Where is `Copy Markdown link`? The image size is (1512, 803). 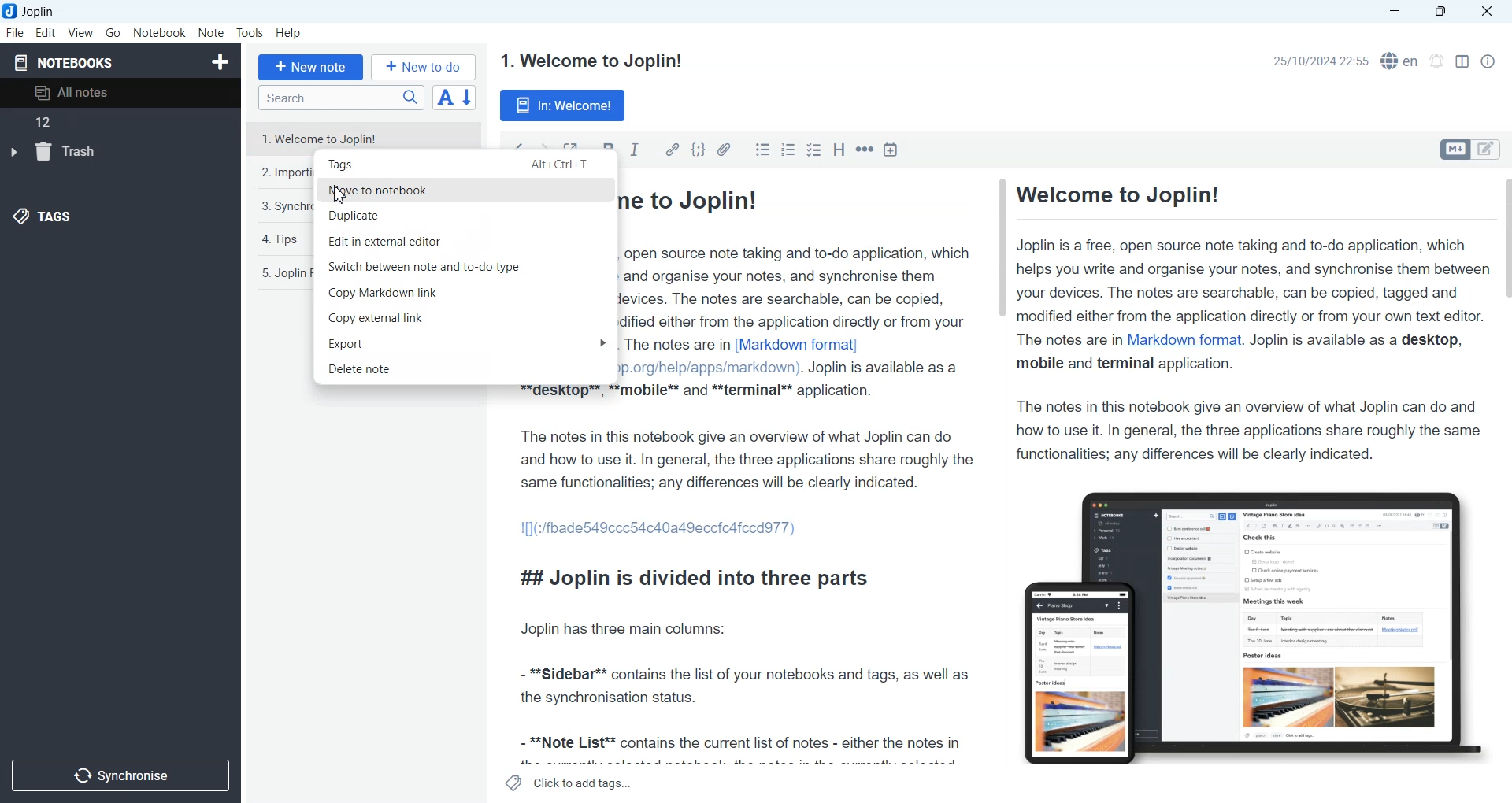
Copy Markdown link is located at coordinates (465, 293).